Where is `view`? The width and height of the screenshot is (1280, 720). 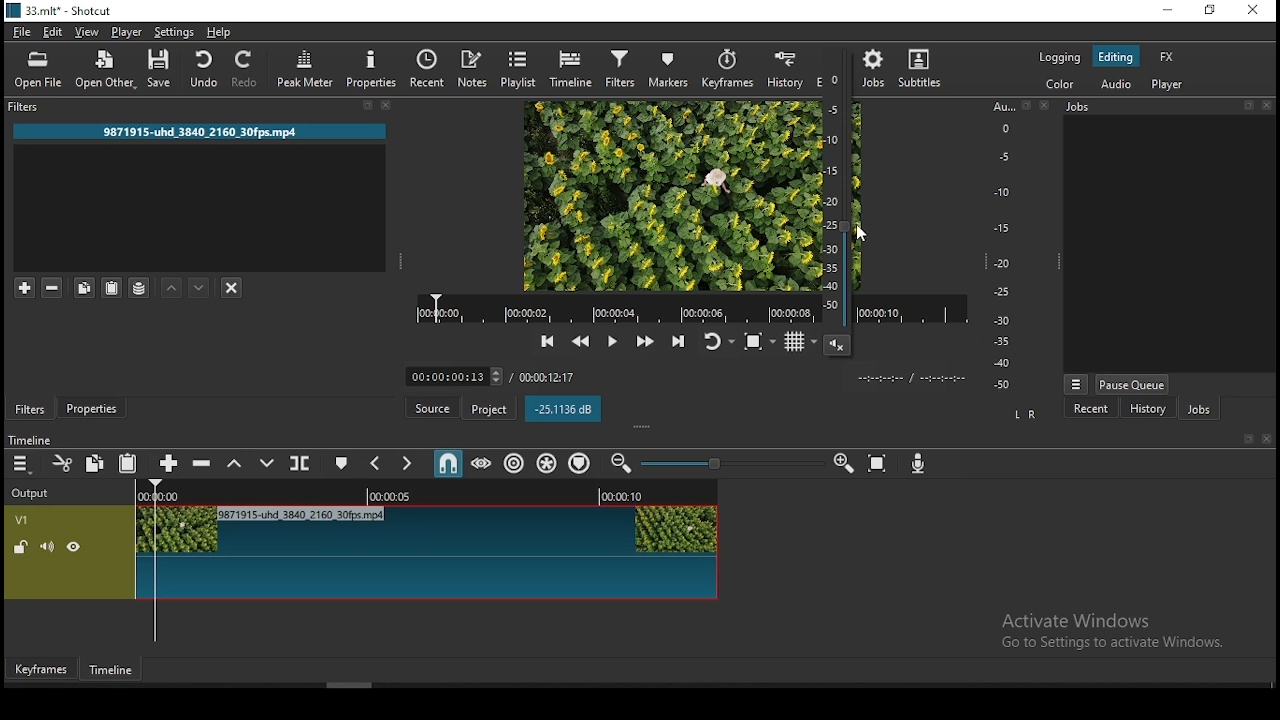 view is located at coordinates (87, 31).